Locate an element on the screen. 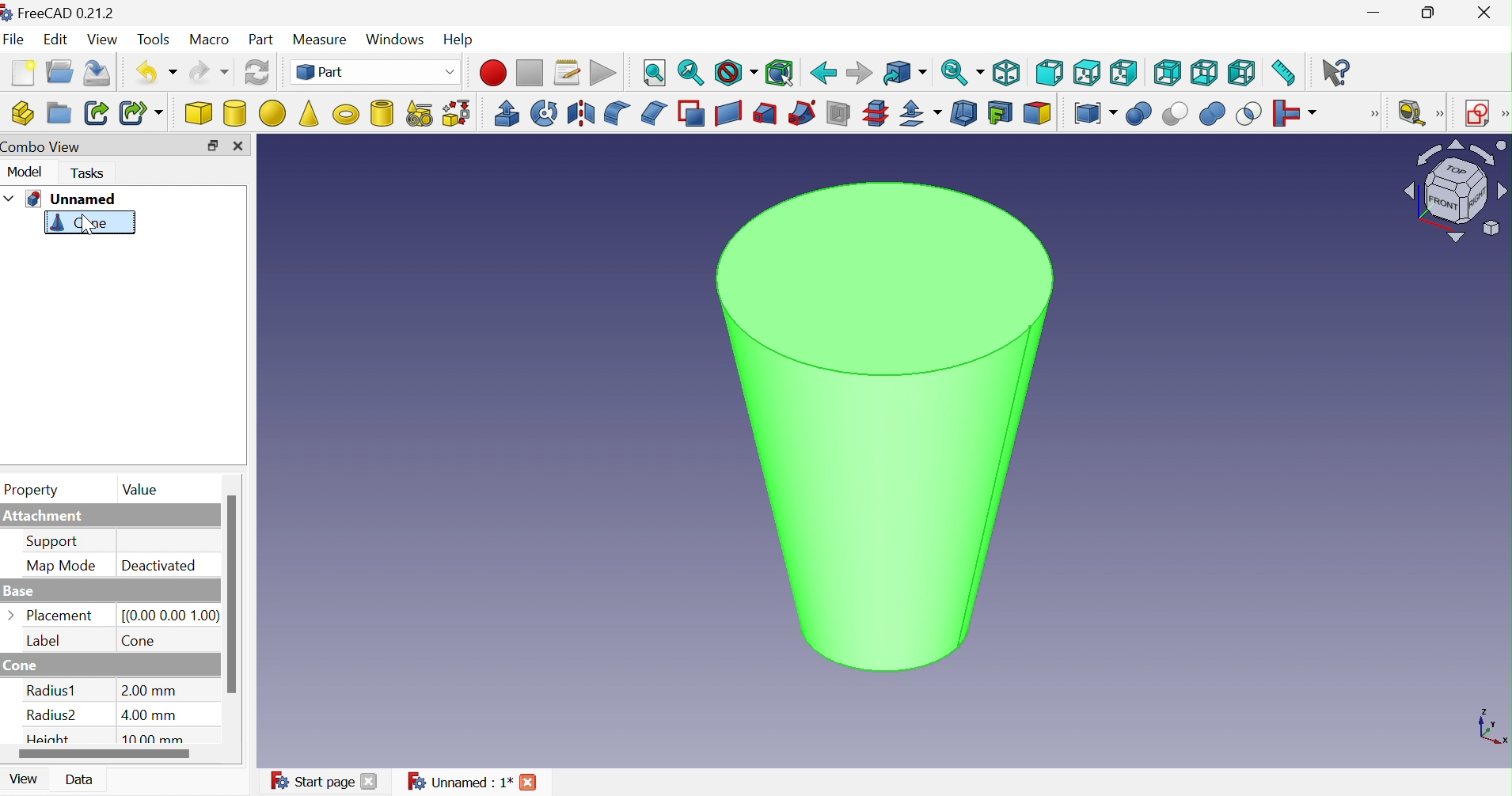 This screenshot has height=796, width=1512. Pointer is located at coordinates (91, 236).